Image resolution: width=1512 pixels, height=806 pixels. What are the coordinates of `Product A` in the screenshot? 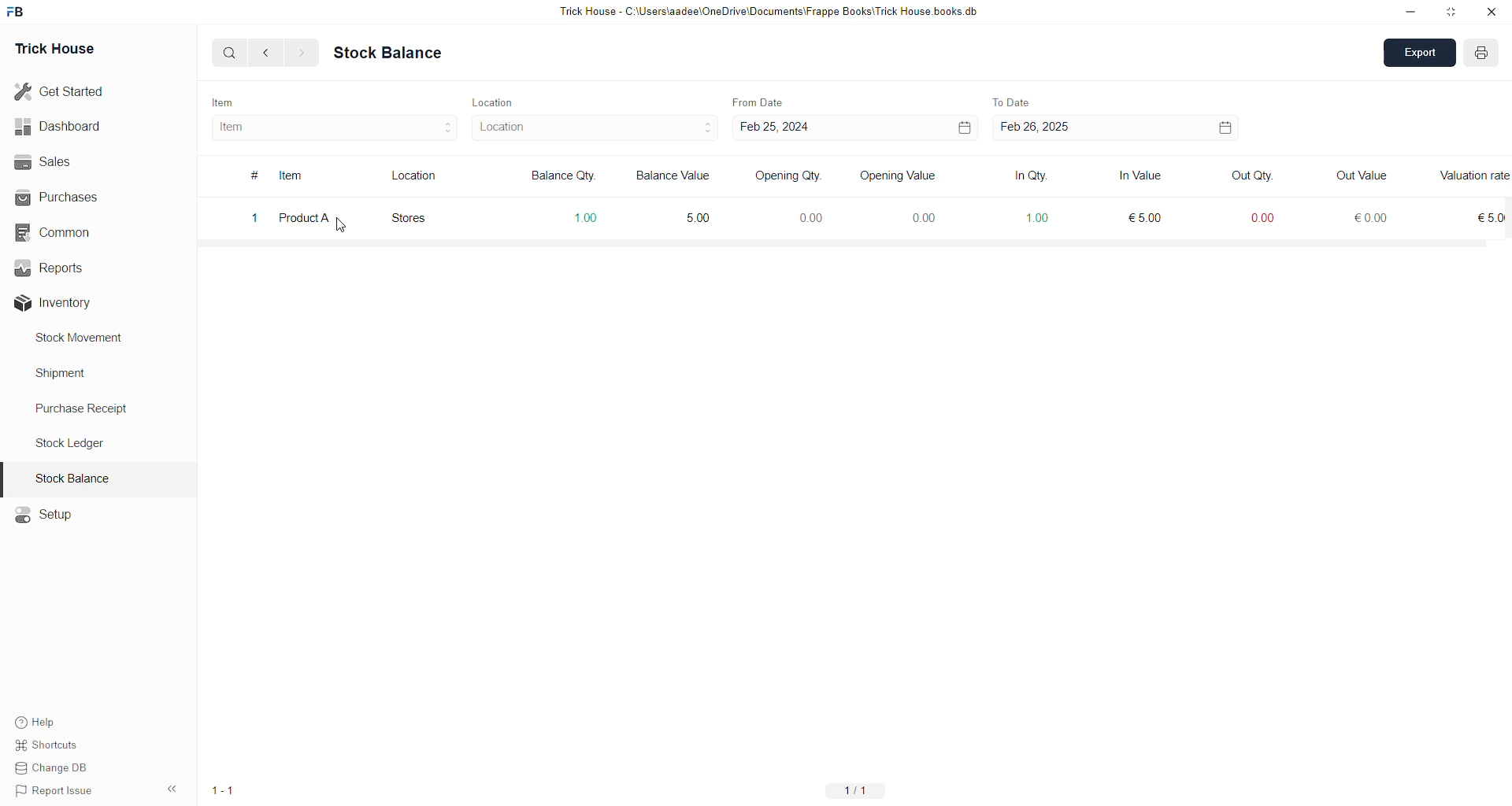 It's located at (309, 216).